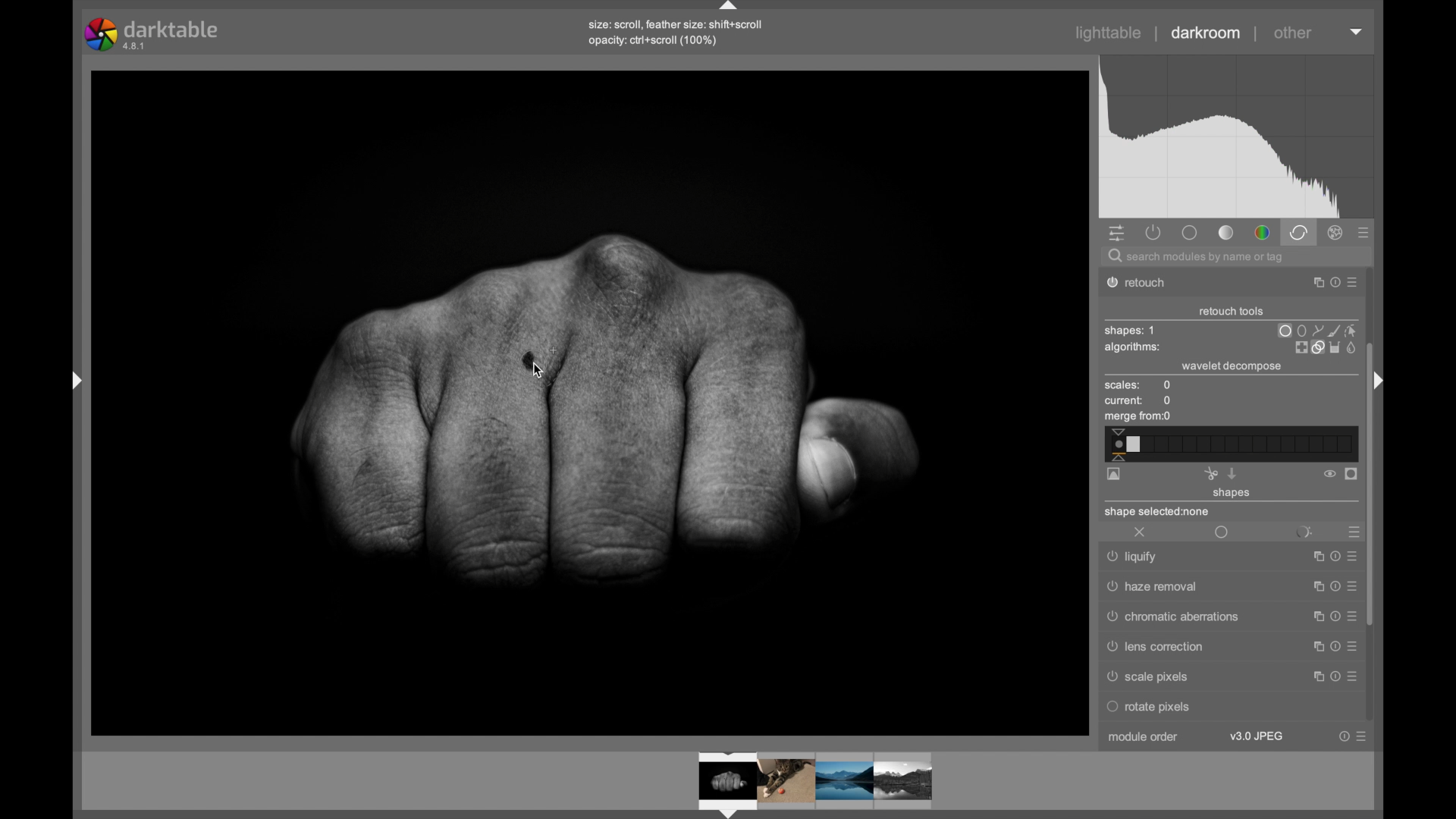 The width and height of the screenshot is (1456, 819). Describe the element at coordinates (1147, 739) in the screenshot. I see `module order` at that location.